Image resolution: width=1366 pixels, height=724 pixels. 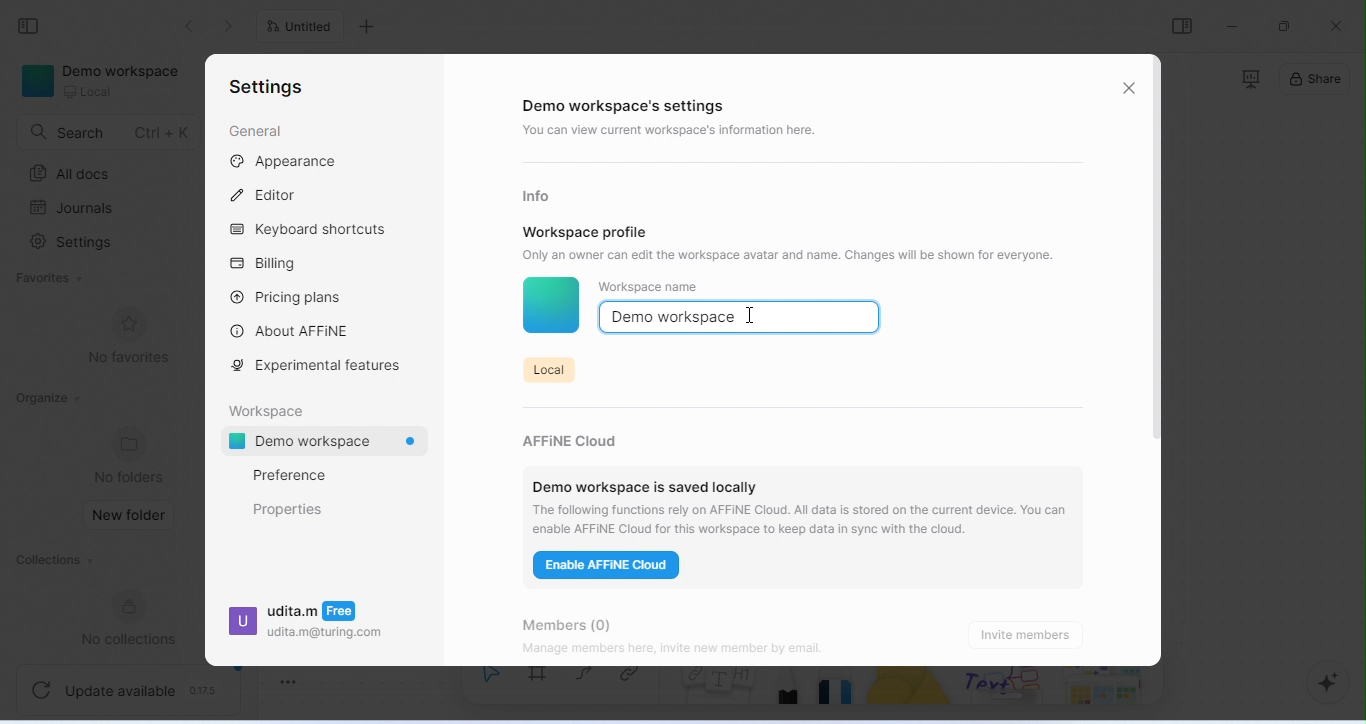 I want to click on notes, so click(x=719, y=695).